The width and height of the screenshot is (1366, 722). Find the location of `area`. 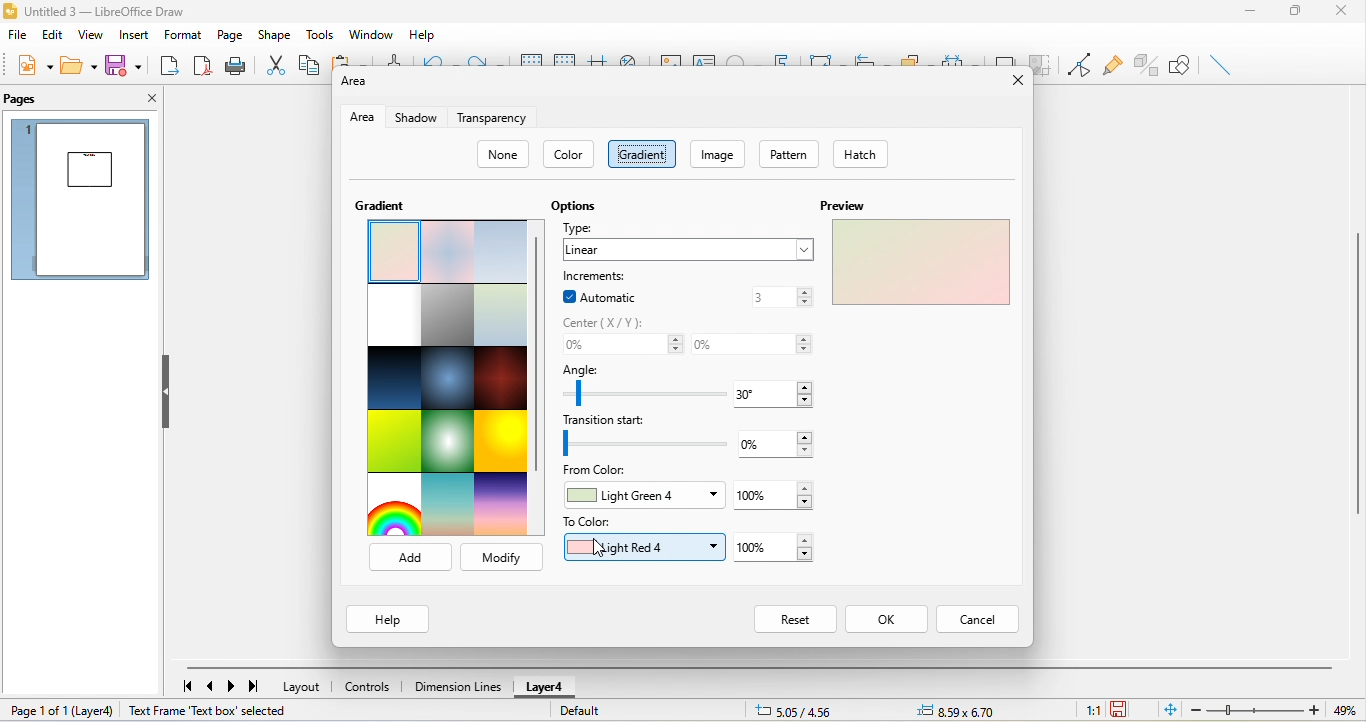

area is located at coordinates (362, 116).